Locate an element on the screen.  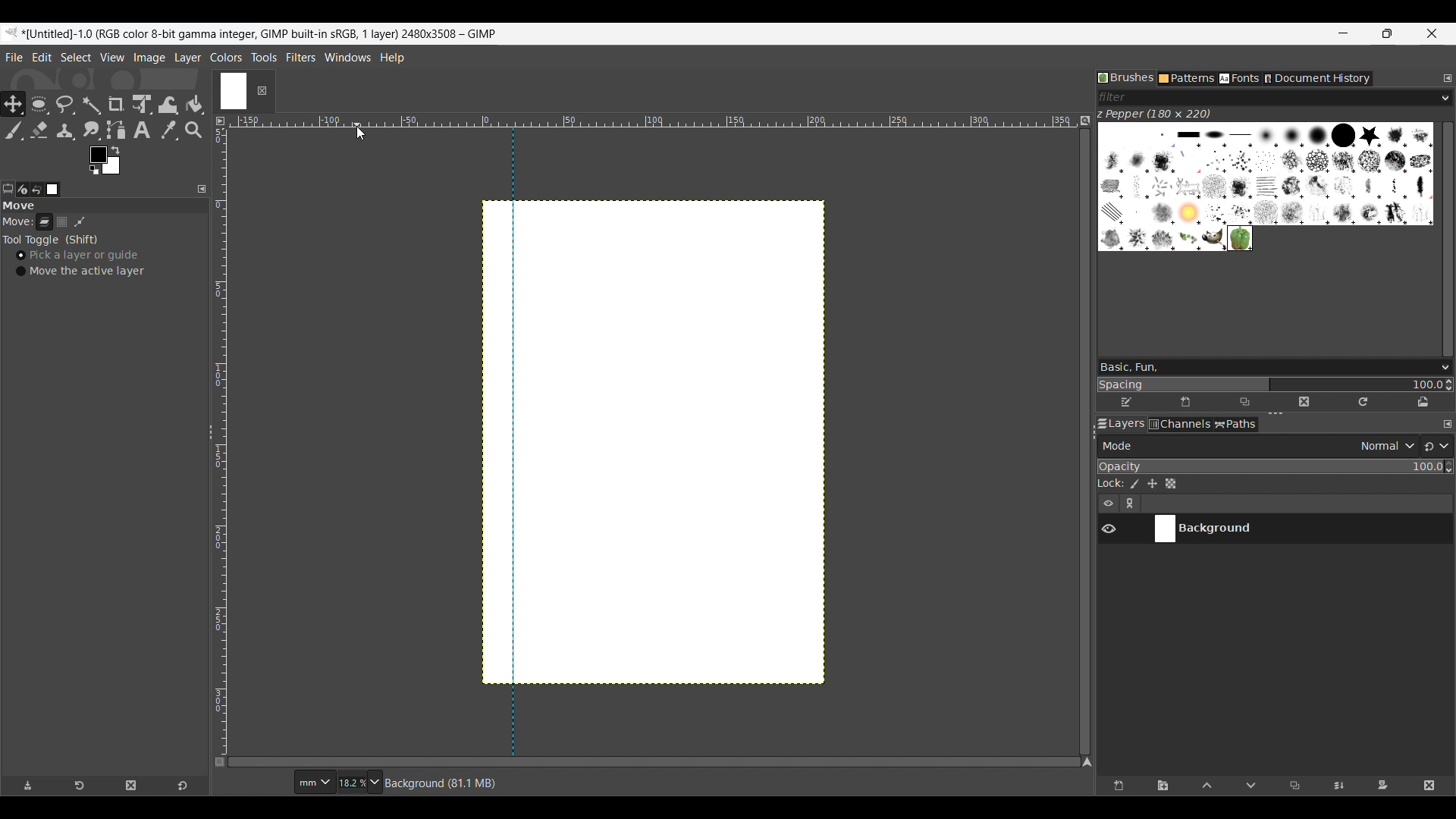
Images is located at coordinates (53, 190).